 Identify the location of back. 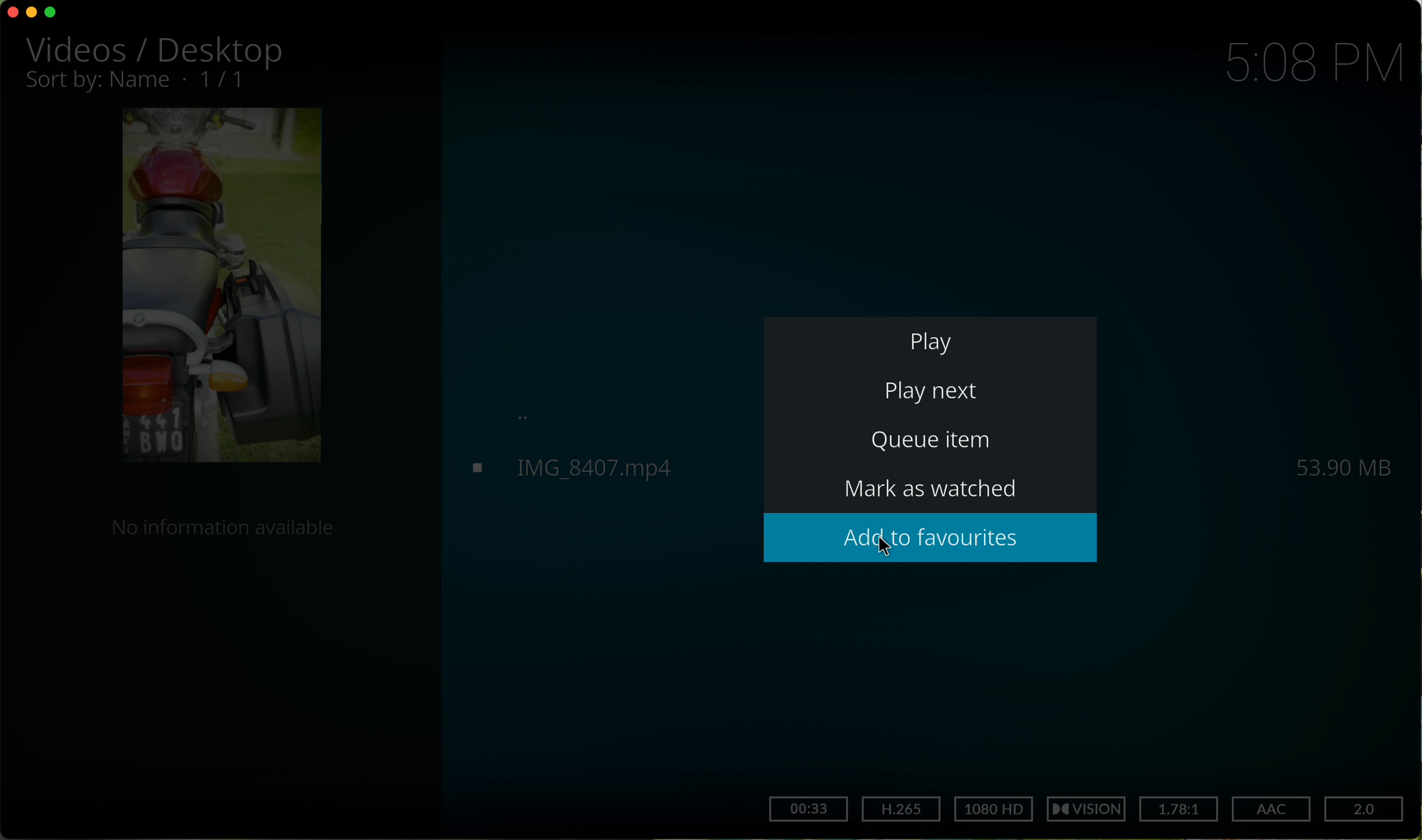
(529, 417).